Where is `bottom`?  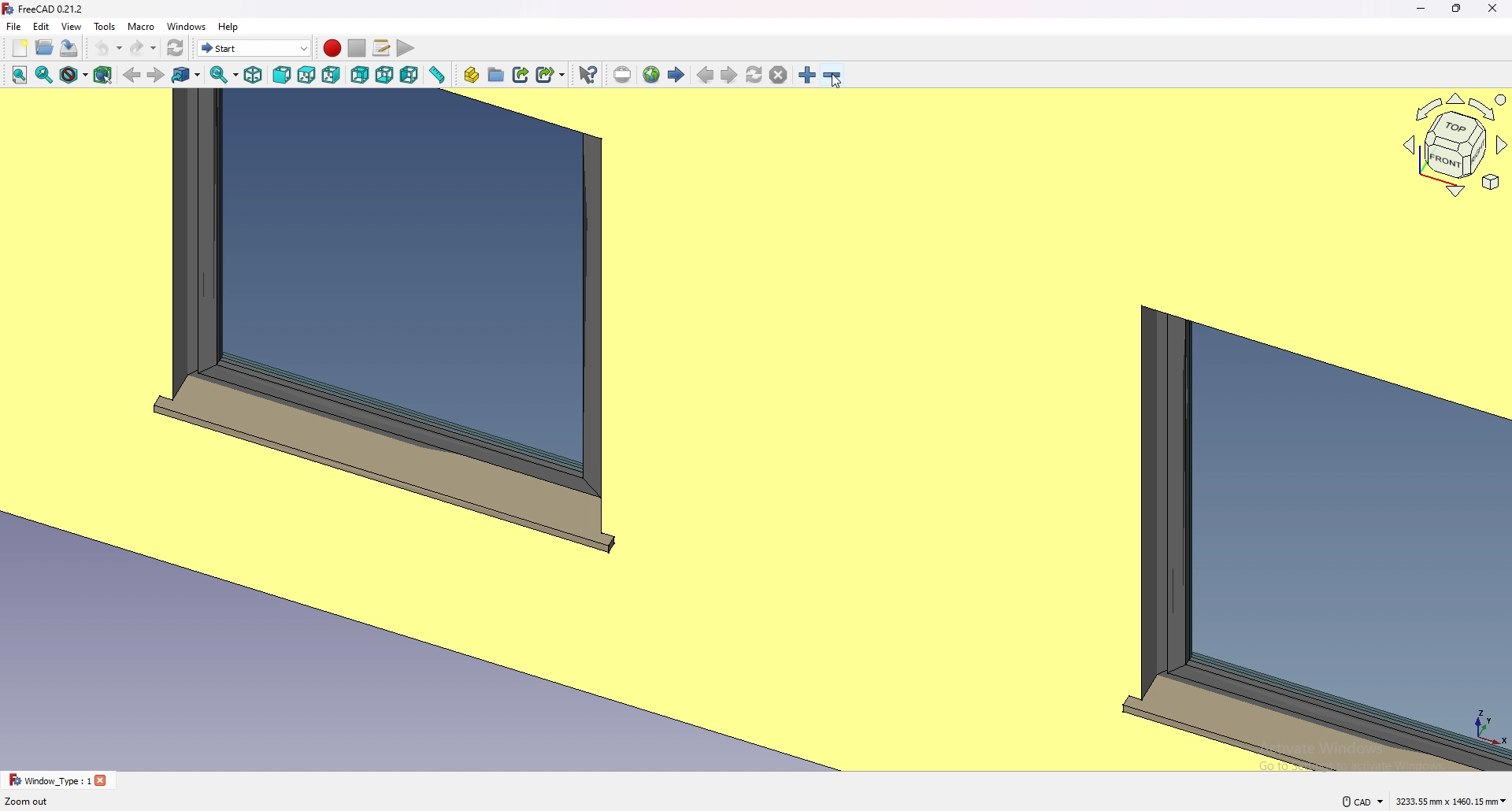
bottom is located at coordinates (384, 76).